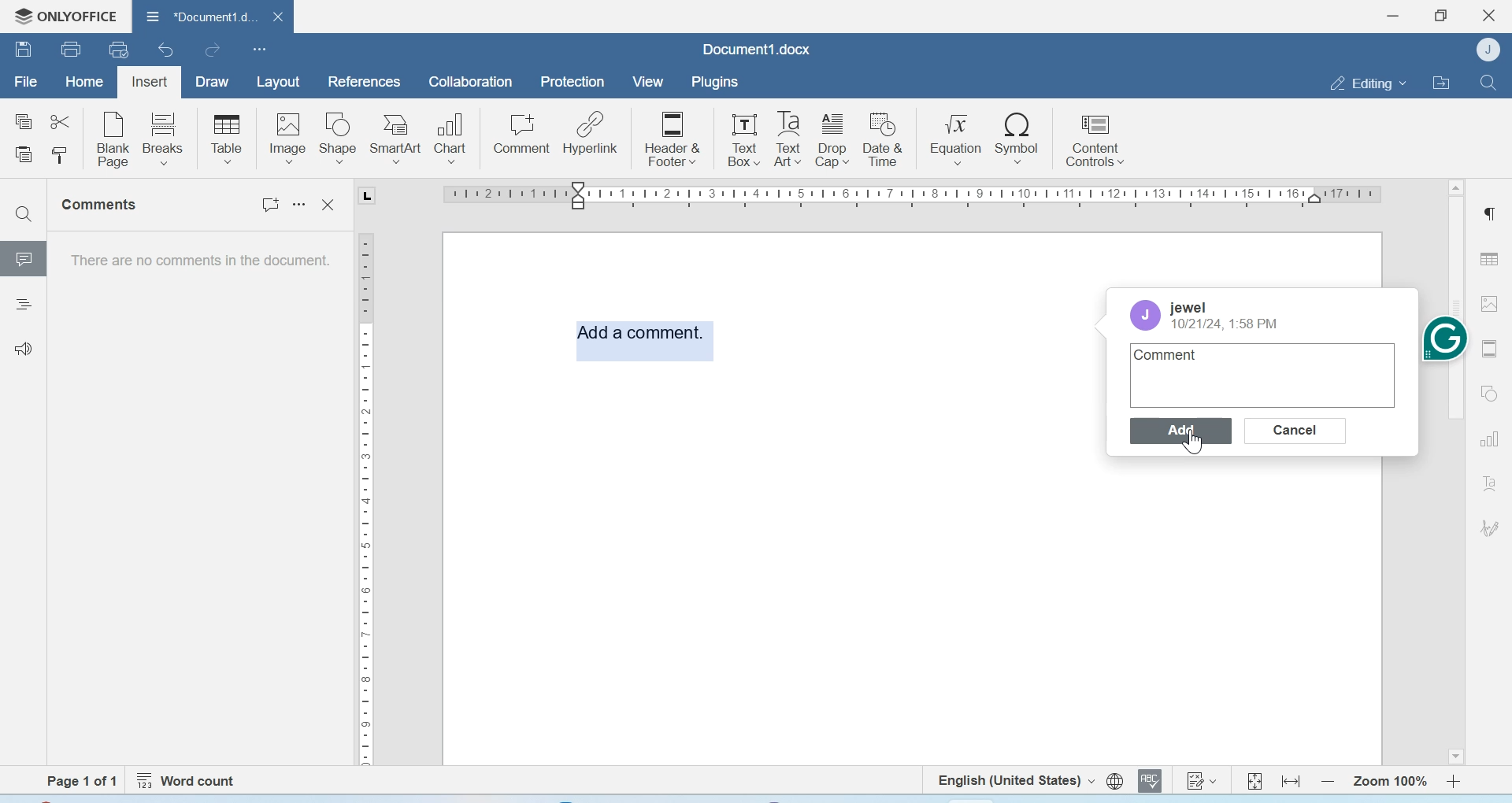 The image size is (1512, 803). Describe the element at coordinates (83, 80) in the screenshot. I see `Home` at that location.